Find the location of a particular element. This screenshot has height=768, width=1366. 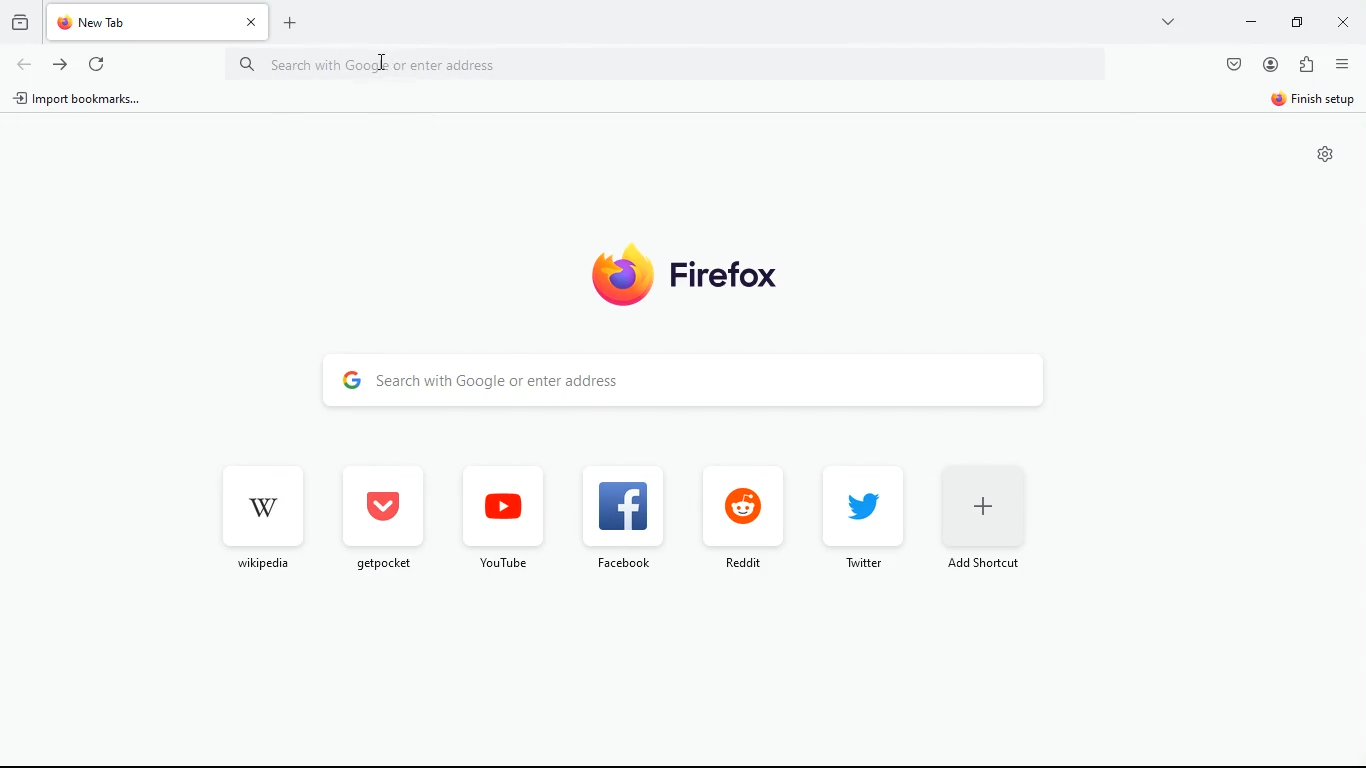

extentions is located at coordinates (1309, 65).